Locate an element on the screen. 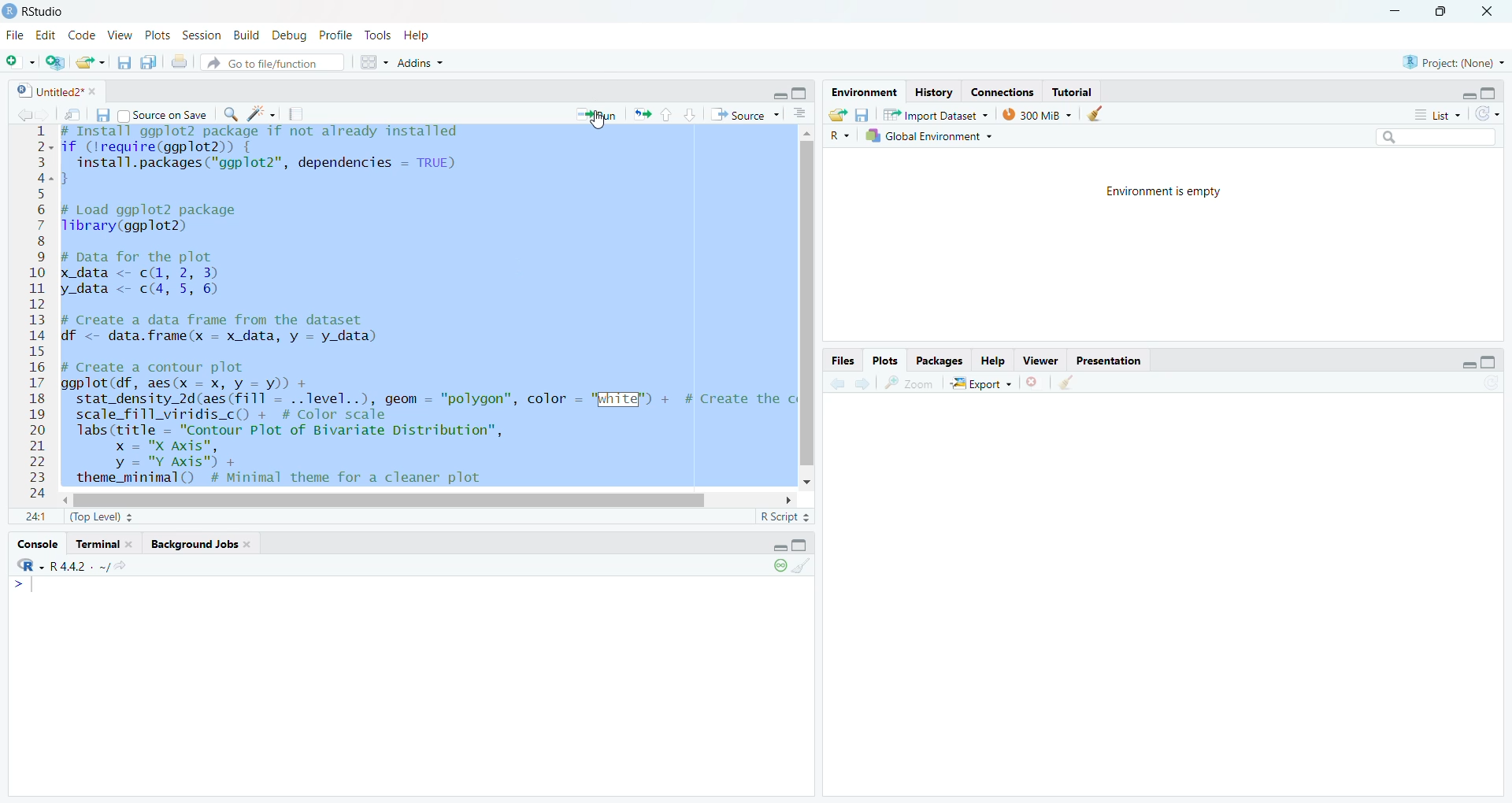 The height and width of the screenshot is (803, 1512). Source on Save is located at coordinates (162, 116).